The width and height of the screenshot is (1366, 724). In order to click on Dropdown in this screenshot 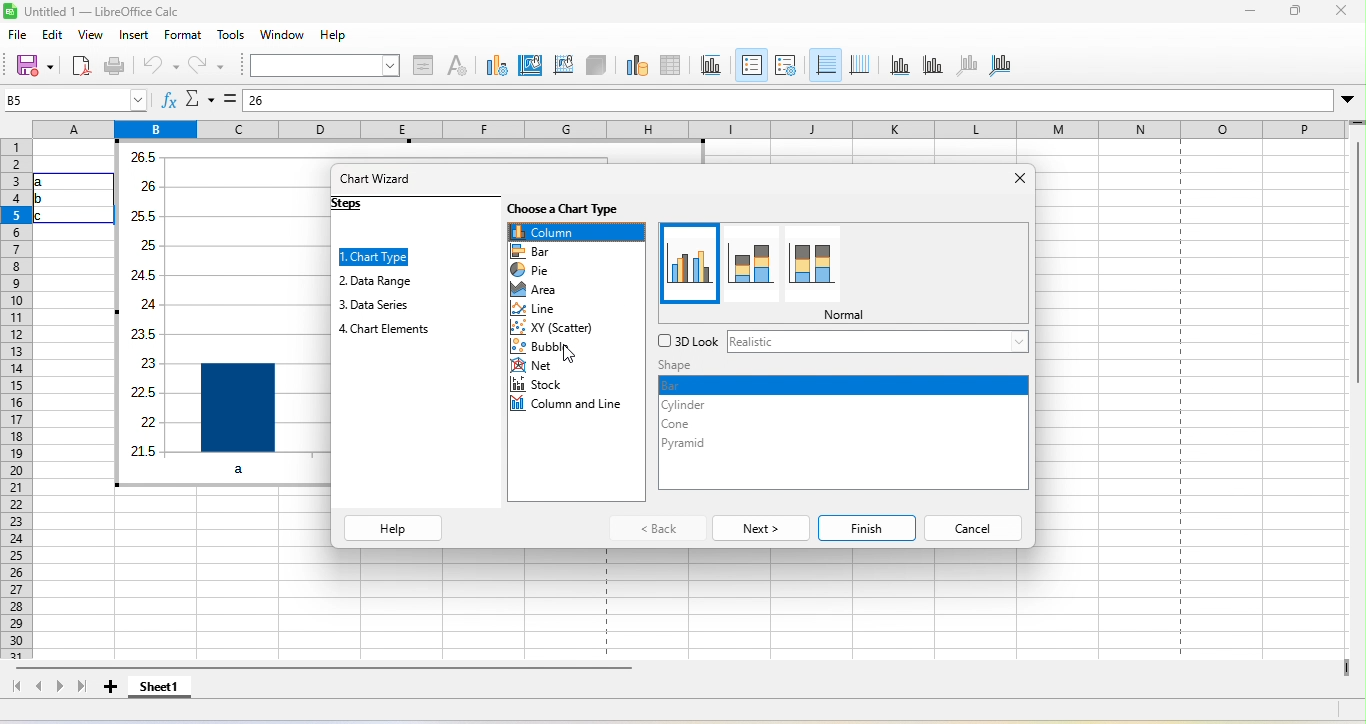, I will do `click(1349, 100)`.